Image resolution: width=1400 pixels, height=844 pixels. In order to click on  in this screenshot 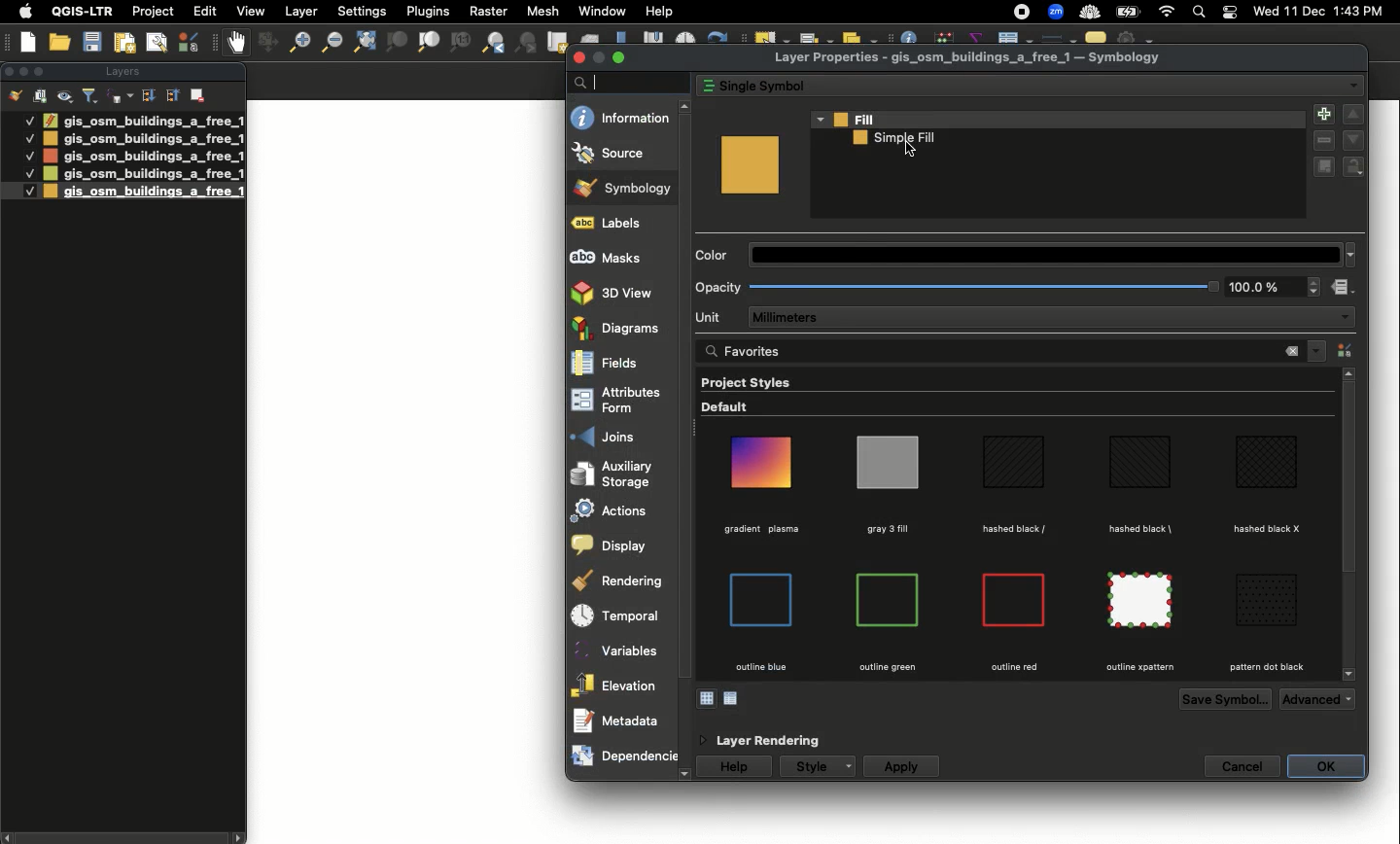, I will do `click(9, 43)`.